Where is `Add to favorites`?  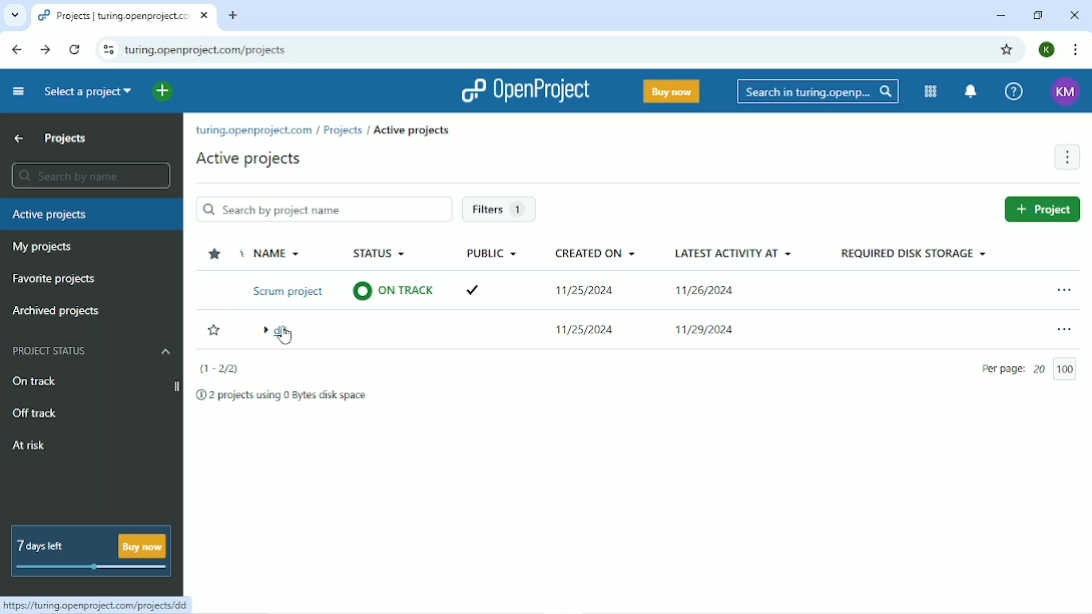
Add to favorites is located at coordinates (217, 331).